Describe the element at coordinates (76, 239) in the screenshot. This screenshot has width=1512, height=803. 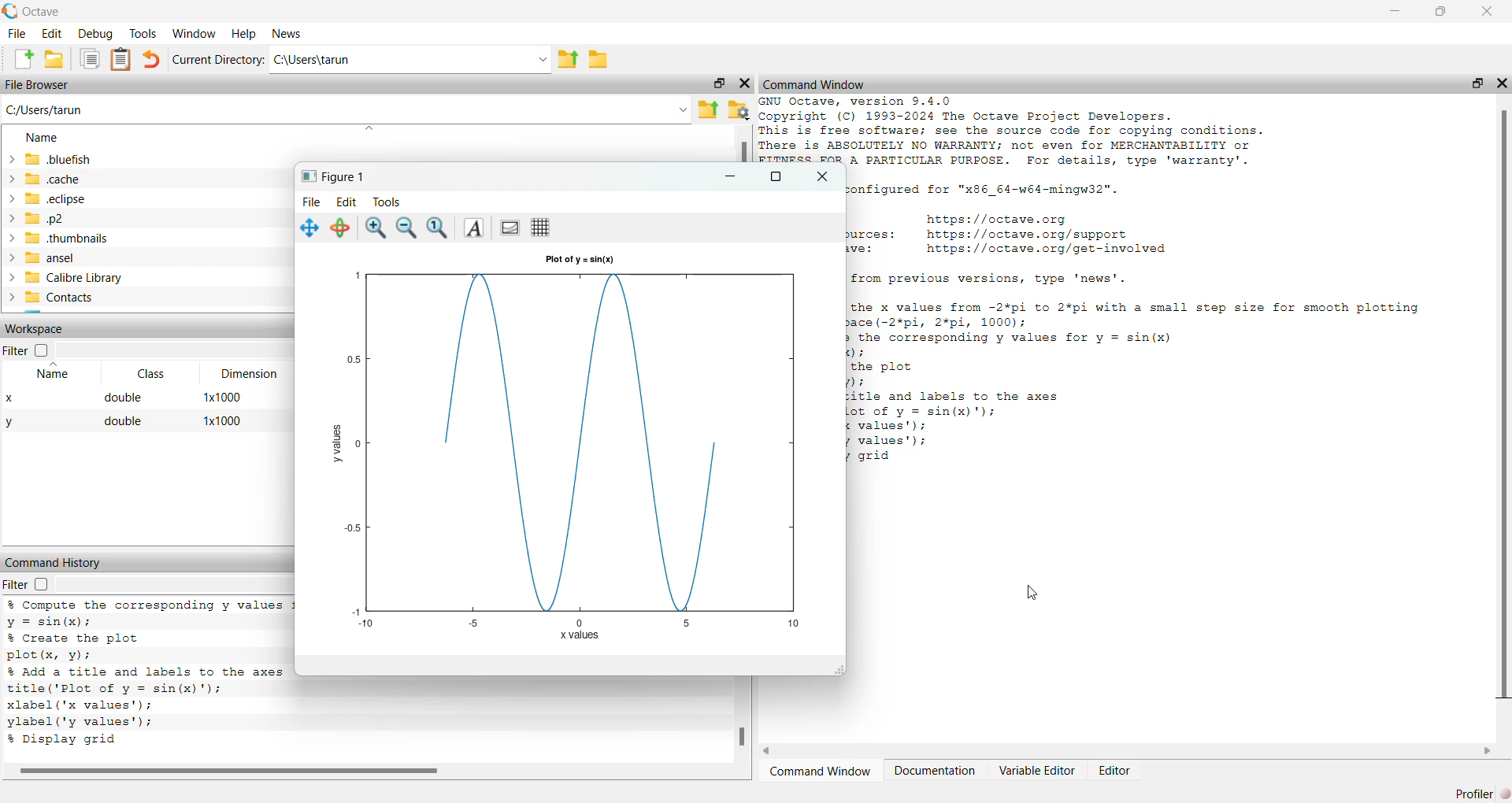
I see `.thumbnails` at that location.